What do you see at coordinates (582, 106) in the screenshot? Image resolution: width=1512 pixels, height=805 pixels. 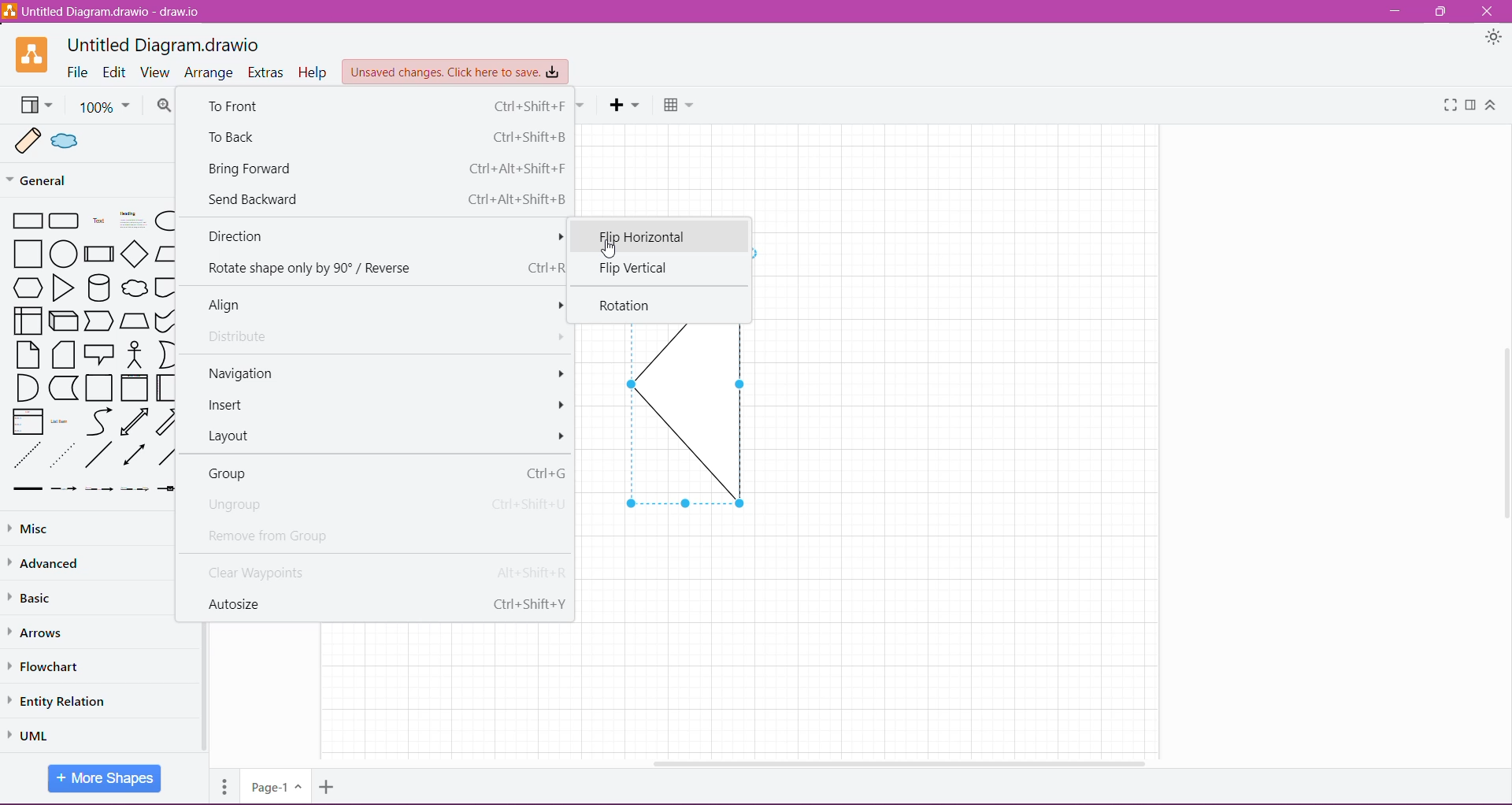 I see `Waypoints` at bounding box center [582, 106].